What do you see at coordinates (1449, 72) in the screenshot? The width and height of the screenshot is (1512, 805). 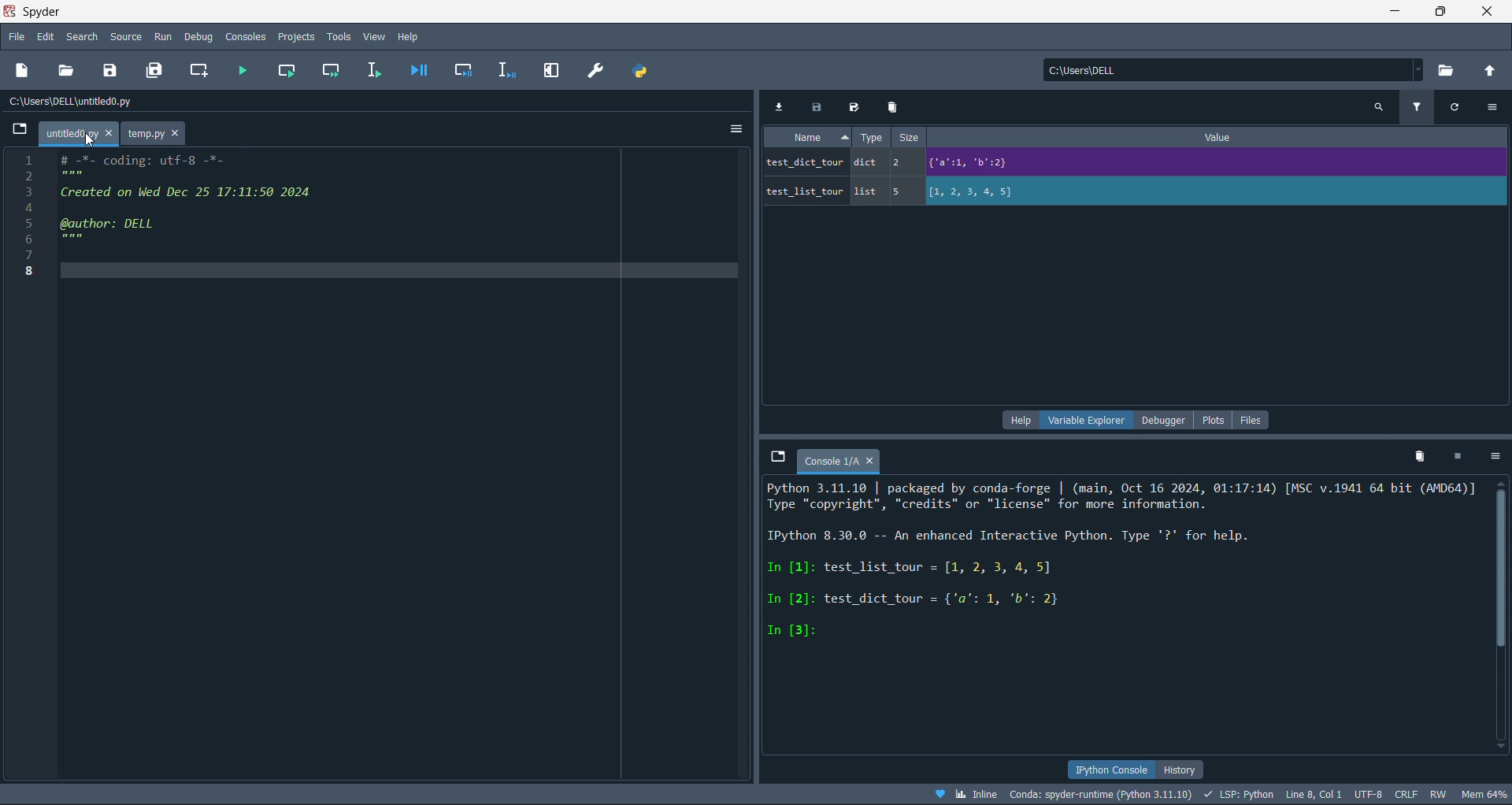 I see `browse directory` at bounding box center [1449, 72].